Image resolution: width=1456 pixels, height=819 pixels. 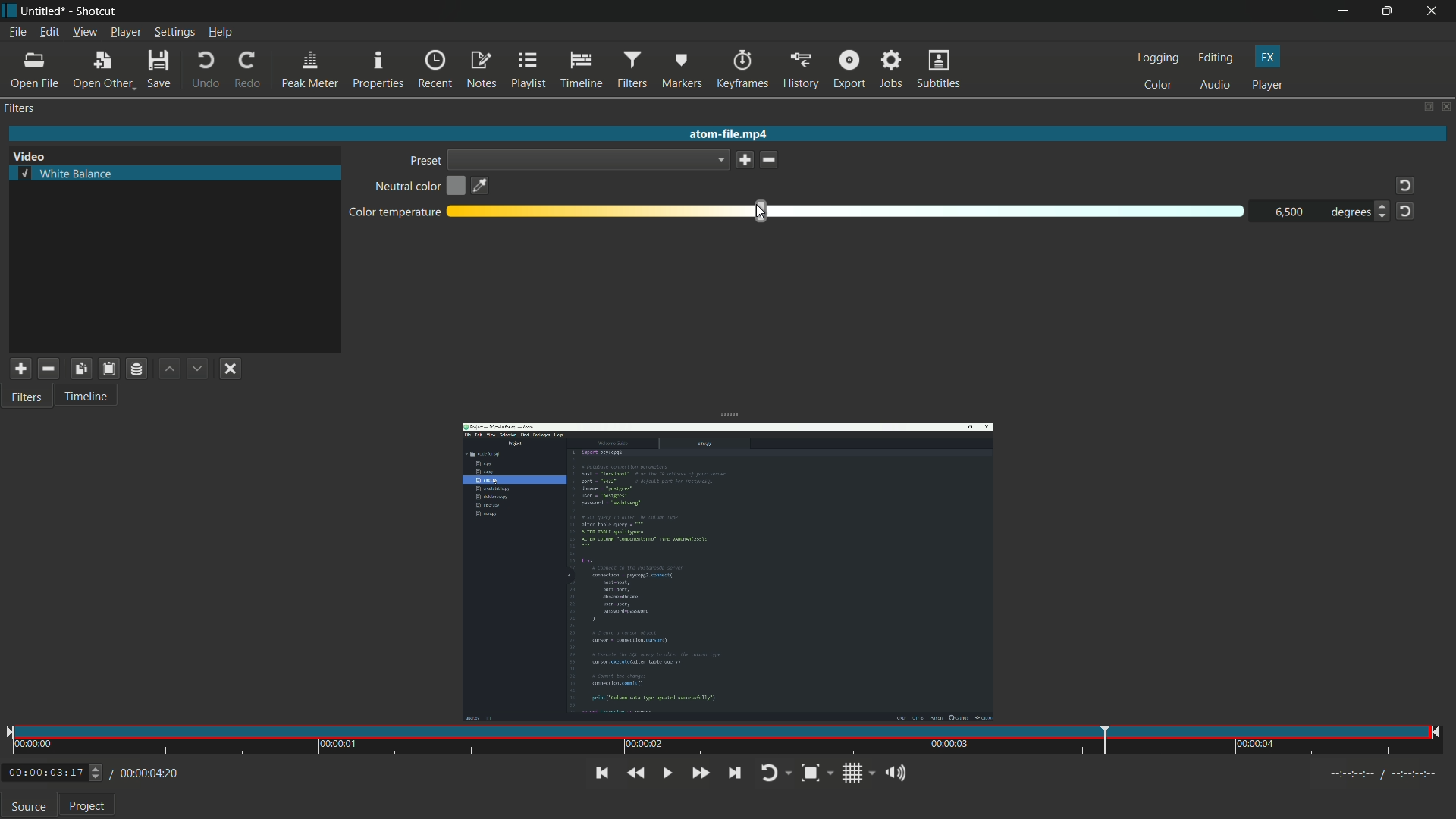 I want to click on remove selected filter, so click(x=49, y=369).